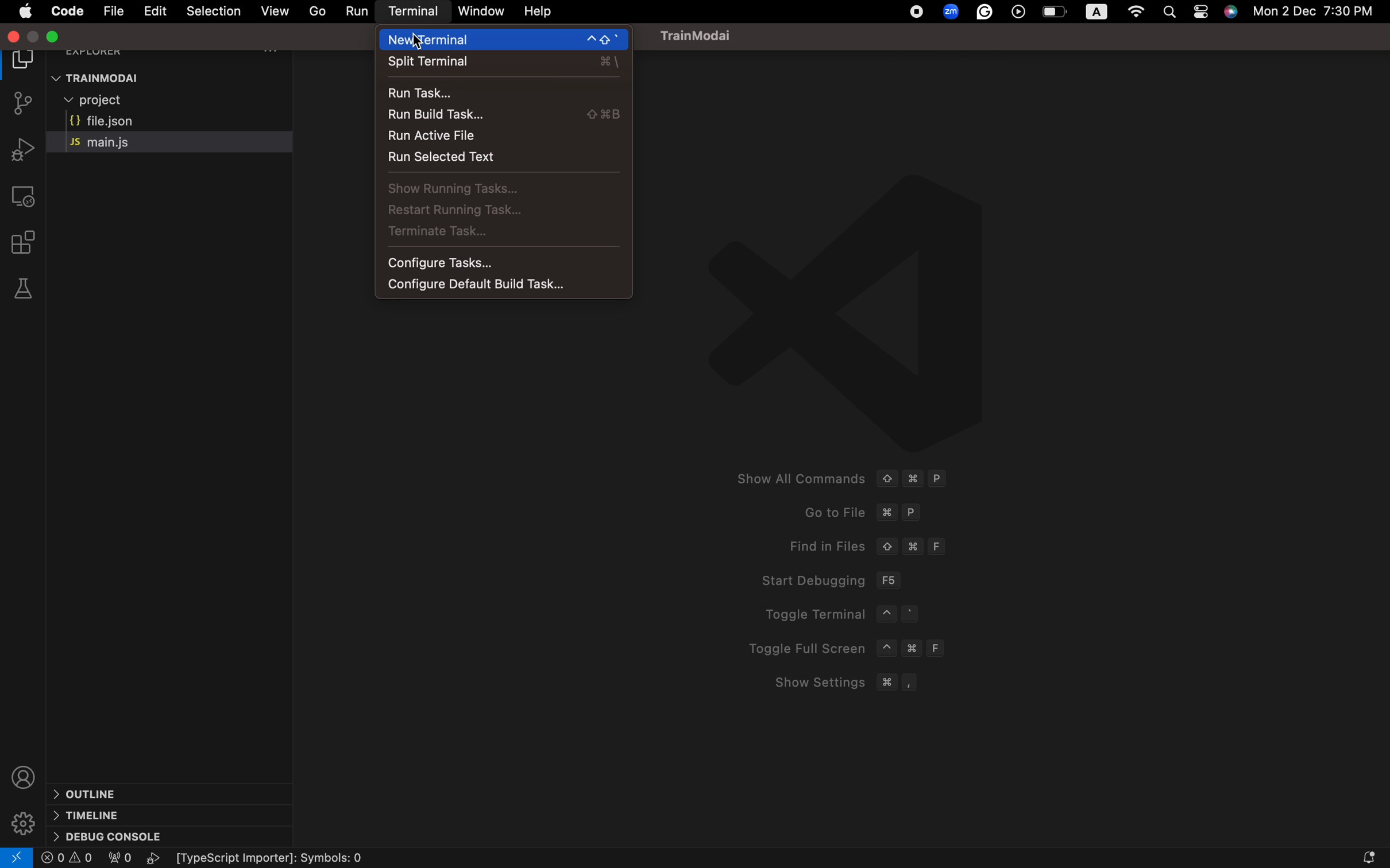 The image size is (1390, 868). What do you see at coordinates (1173, 10) in the screenshot?
I see `Search` at bounding box center [1173, 10].